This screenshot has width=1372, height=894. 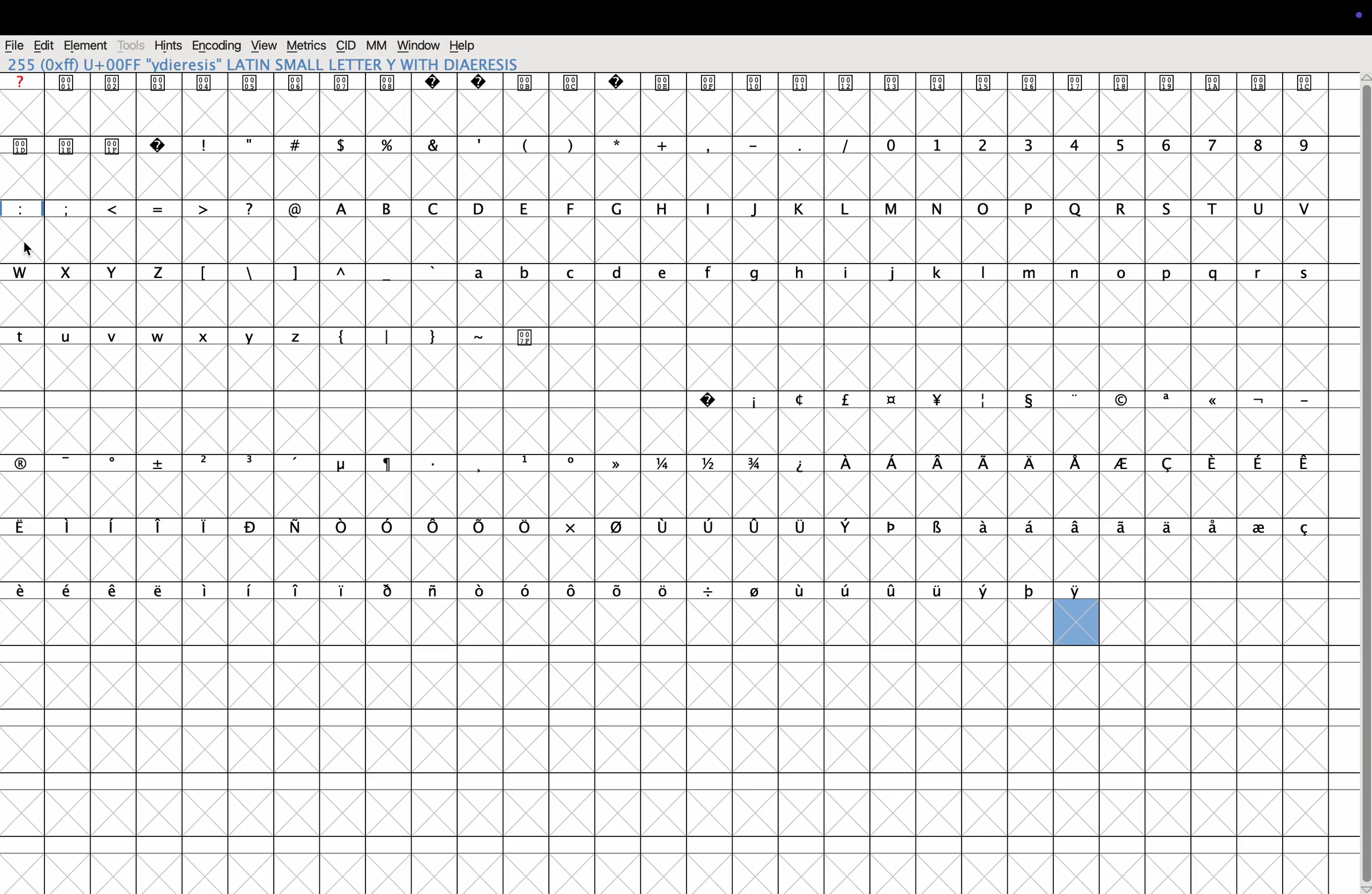 I want to click on o, so click(x=1125, y=296).